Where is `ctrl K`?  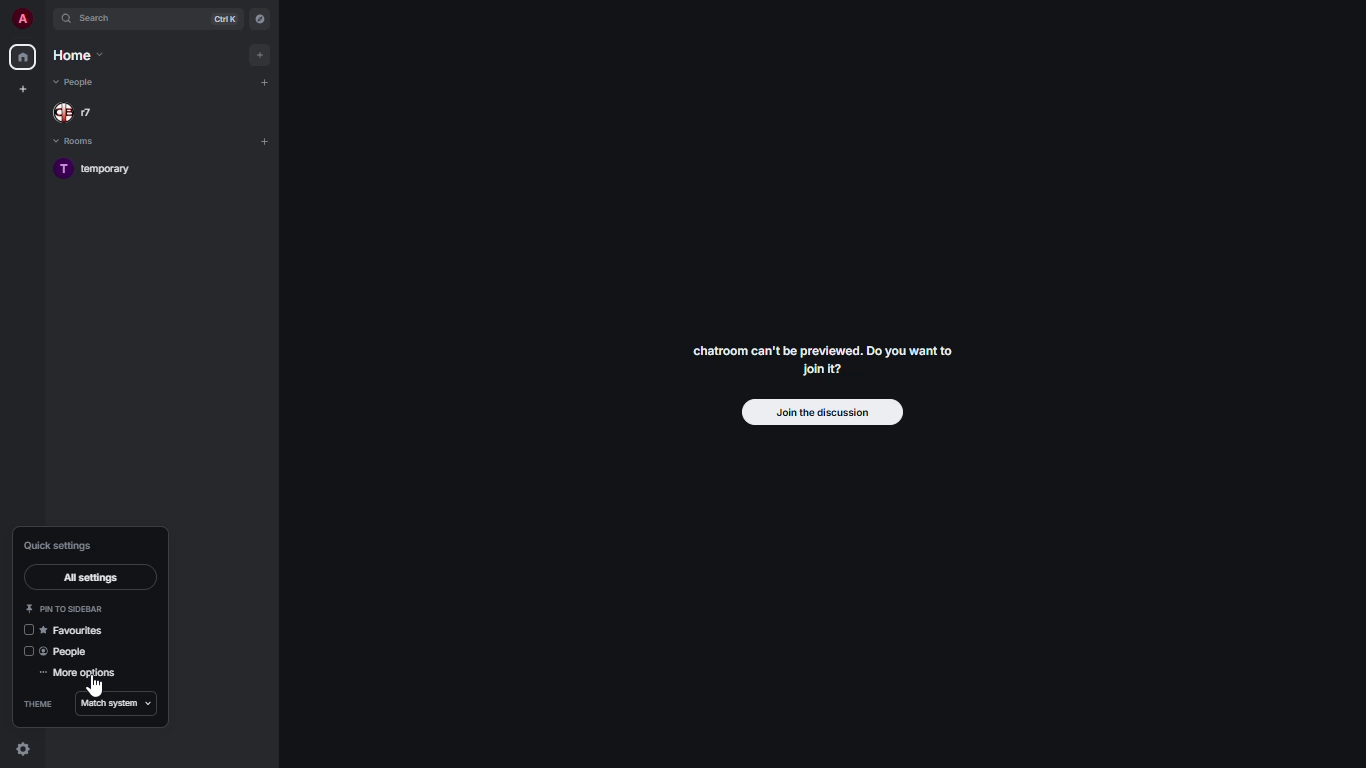 ctrl K is located at coordinates (225, 19).